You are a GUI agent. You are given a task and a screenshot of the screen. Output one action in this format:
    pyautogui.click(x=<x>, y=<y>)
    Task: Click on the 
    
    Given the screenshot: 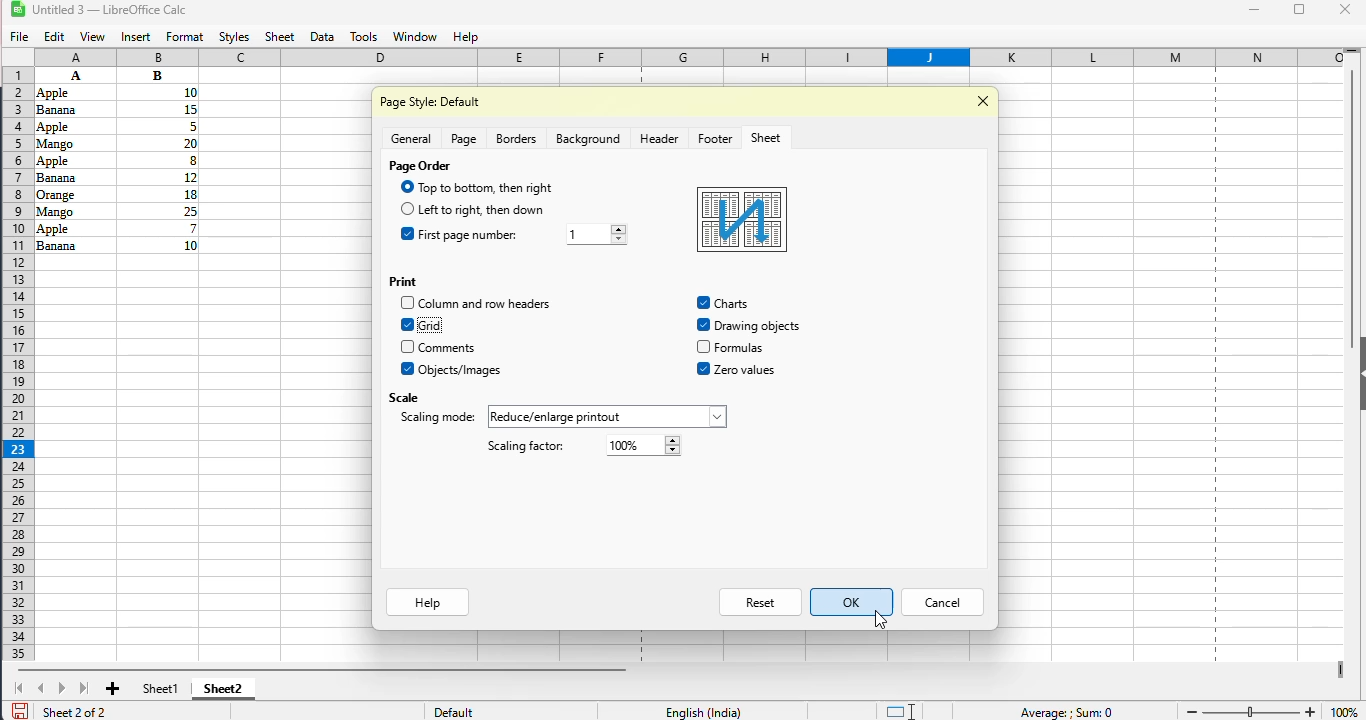 What is the action you would take?
    pyautogui.click(x=406, y=346)
    